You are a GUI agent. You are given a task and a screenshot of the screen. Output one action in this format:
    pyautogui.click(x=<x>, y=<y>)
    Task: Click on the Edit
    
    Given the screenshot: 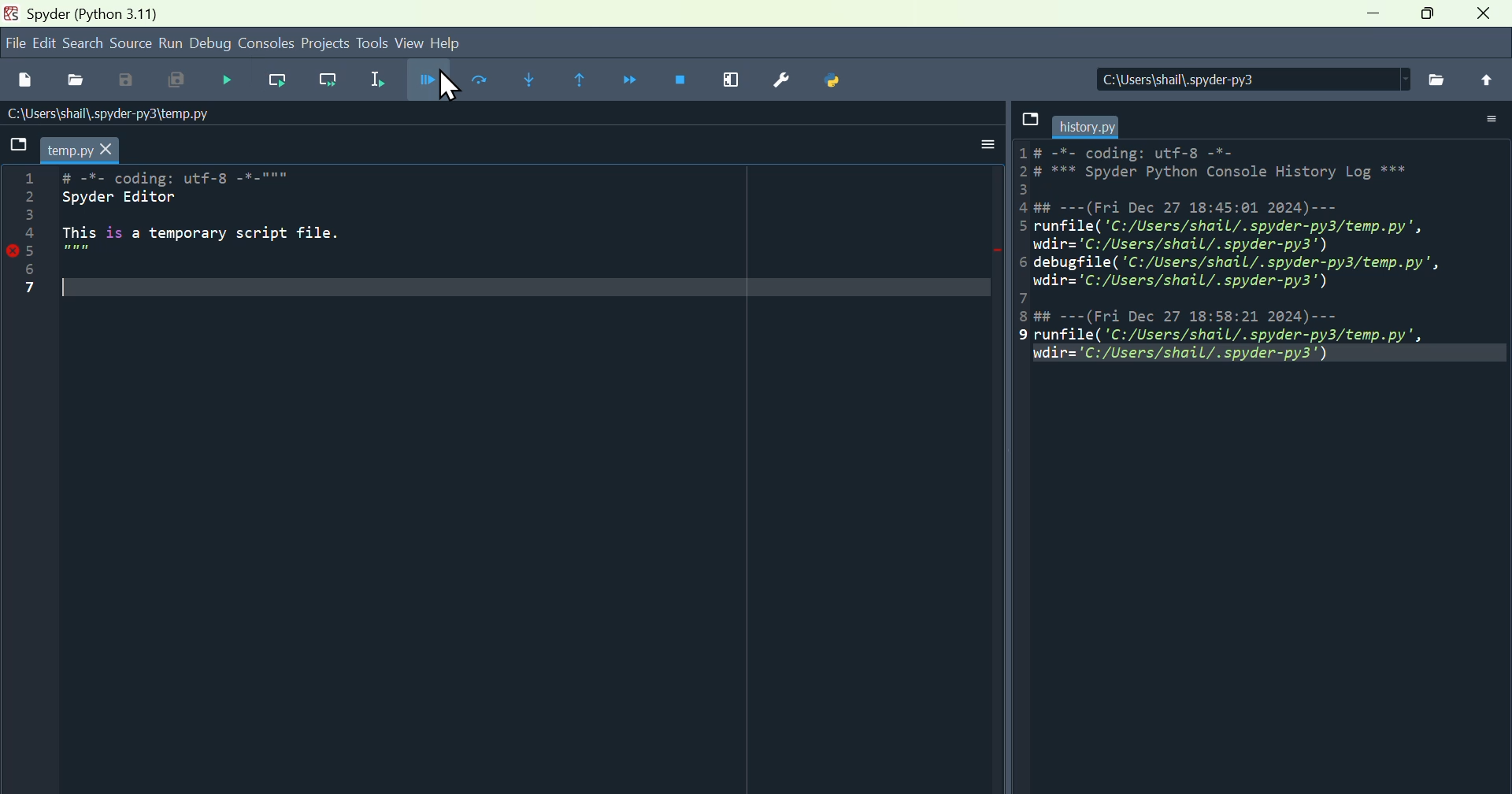 What is the action you would take?
    pyautogui.click(x=45, y=44)
    